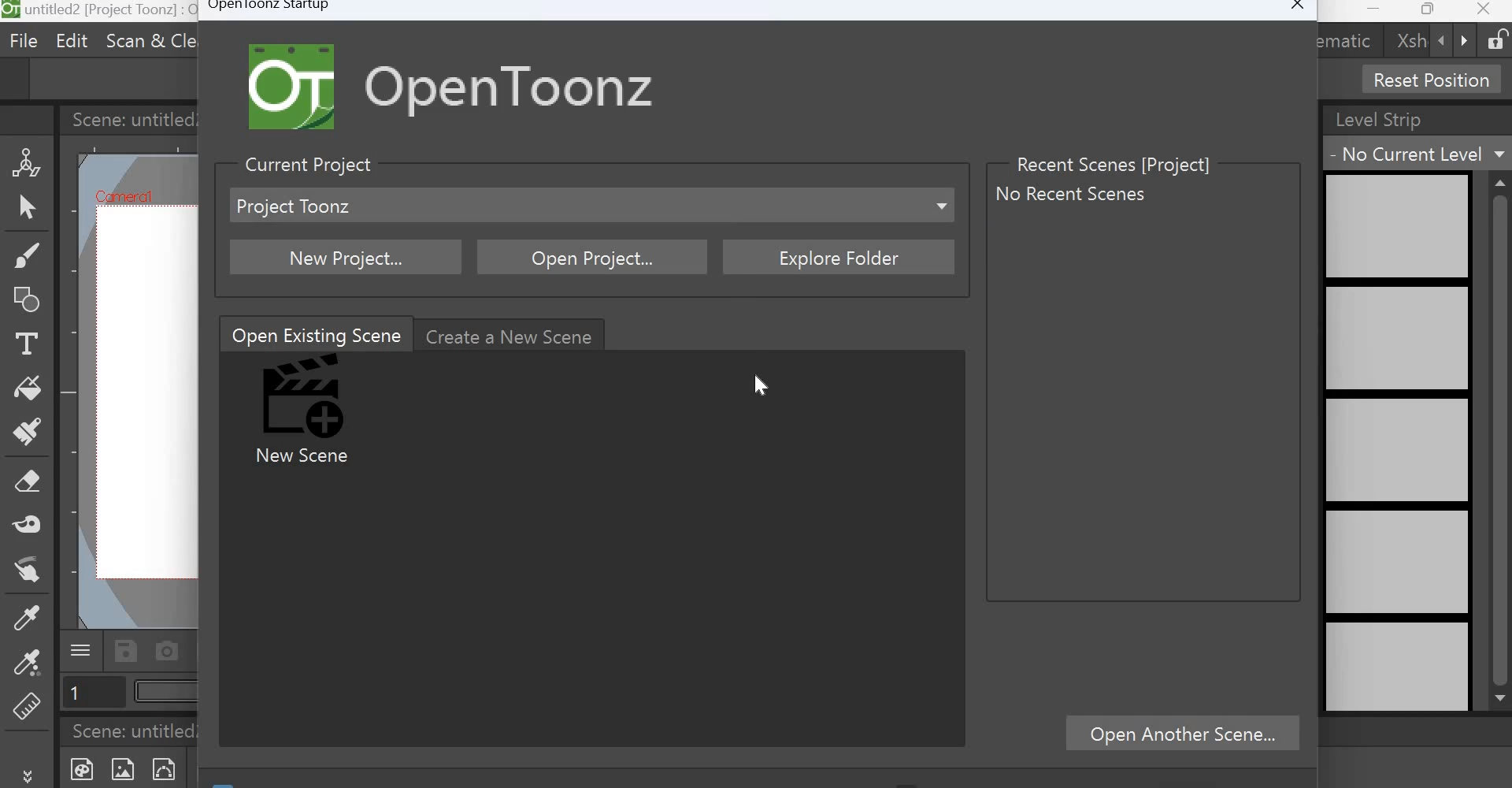 The height and width of the screenshot is (788, 1512). What do you see at coordinates (943, 206) in the screenshot?
I see `Dropdown` at bounding box center [943, 206].